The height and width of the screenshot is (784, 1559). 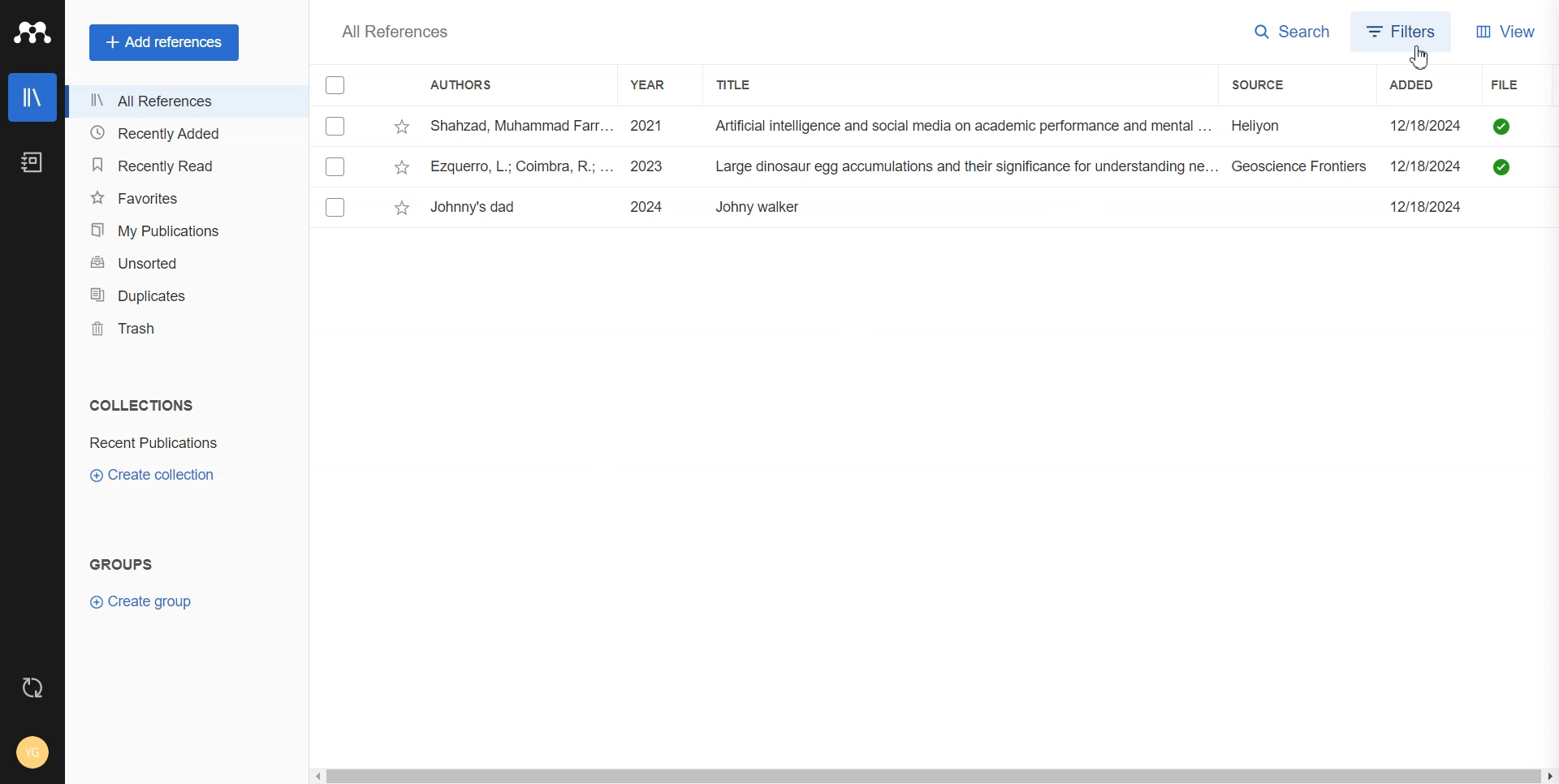 I want to click on Library, so click(x=32, y=97).